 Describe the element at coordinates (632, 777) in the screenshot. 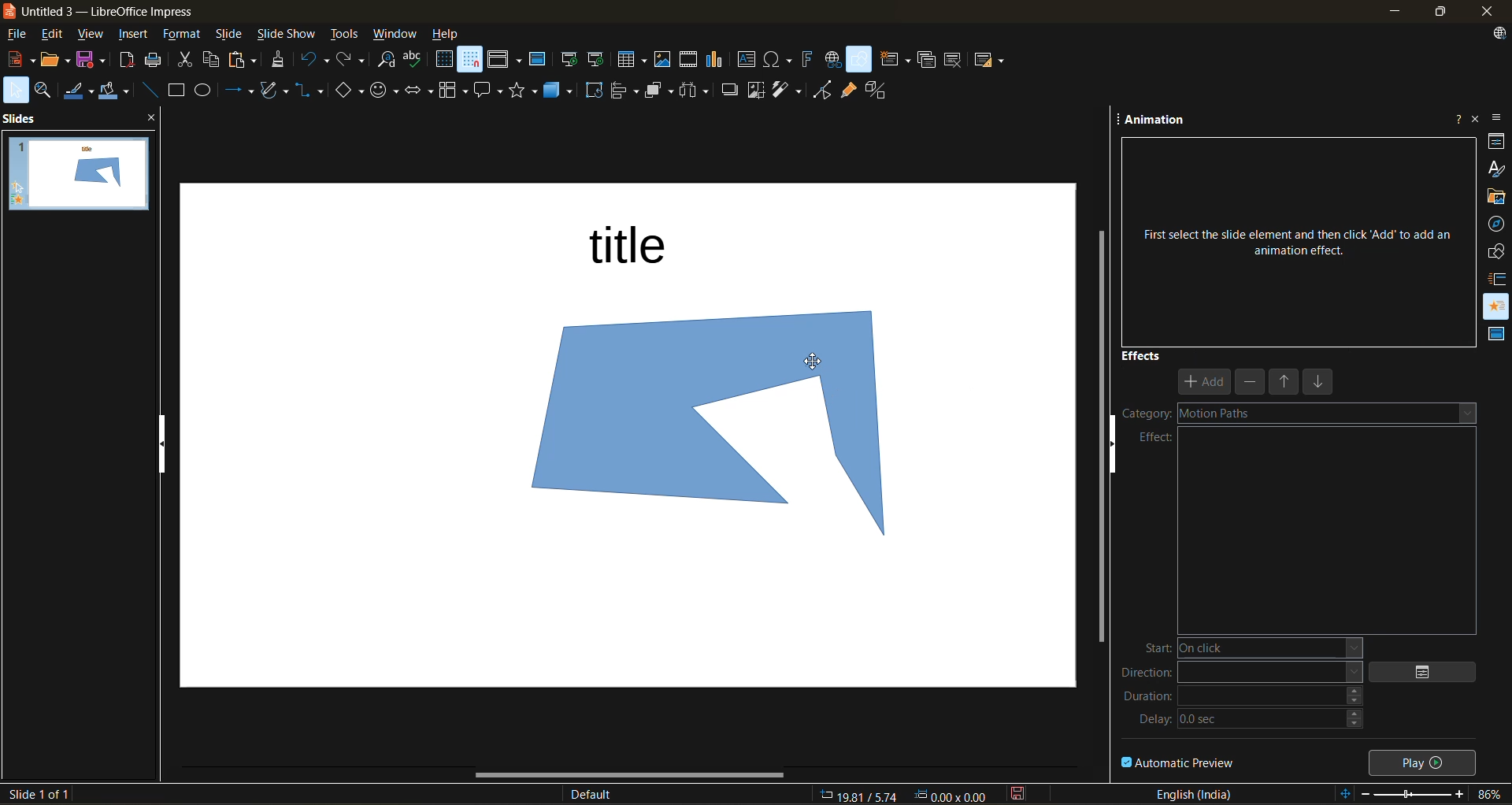

I see `horizontal scroll bar` at that location.